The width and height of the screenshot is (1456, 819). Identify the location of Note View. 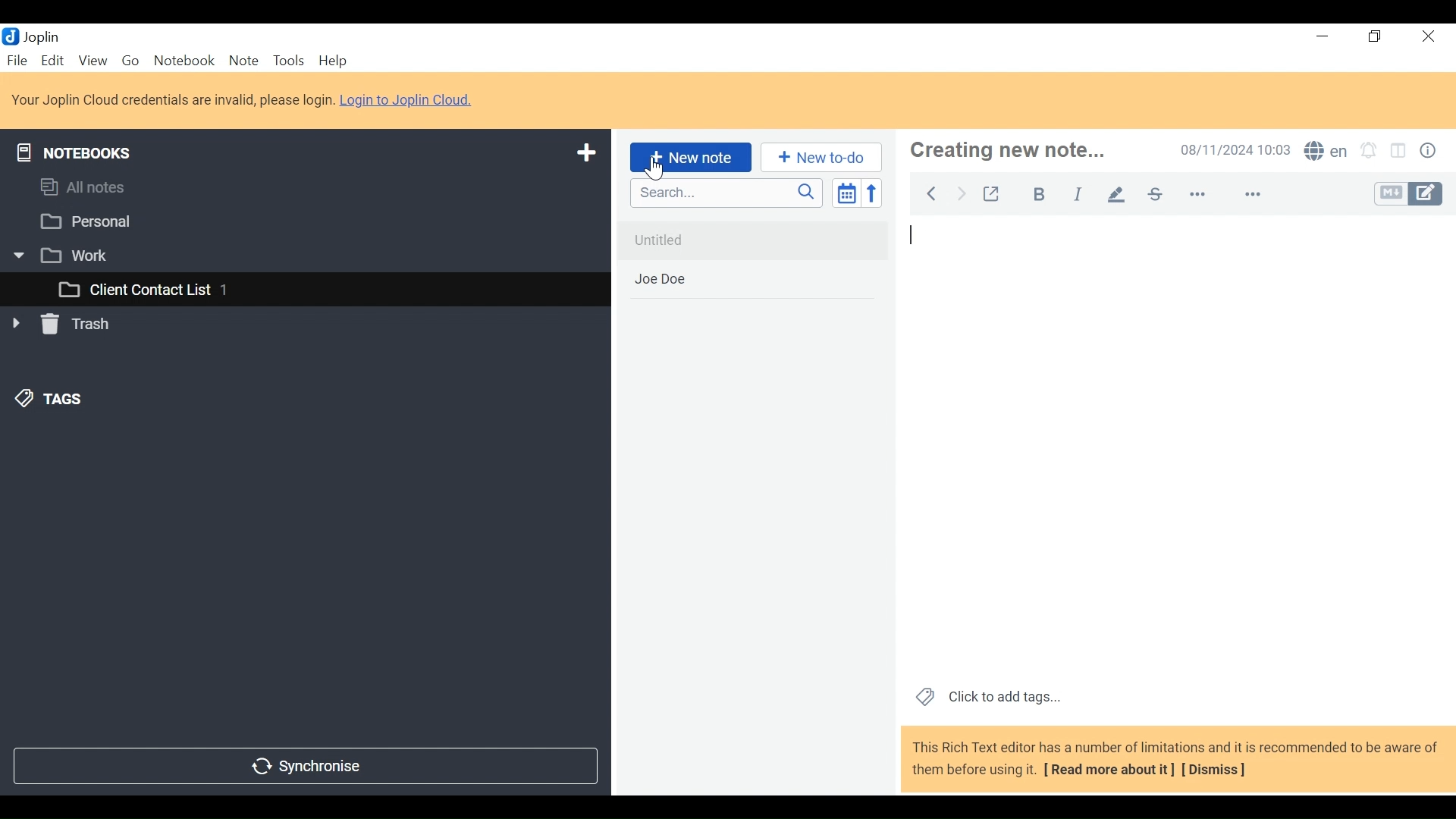
(1175, 448).